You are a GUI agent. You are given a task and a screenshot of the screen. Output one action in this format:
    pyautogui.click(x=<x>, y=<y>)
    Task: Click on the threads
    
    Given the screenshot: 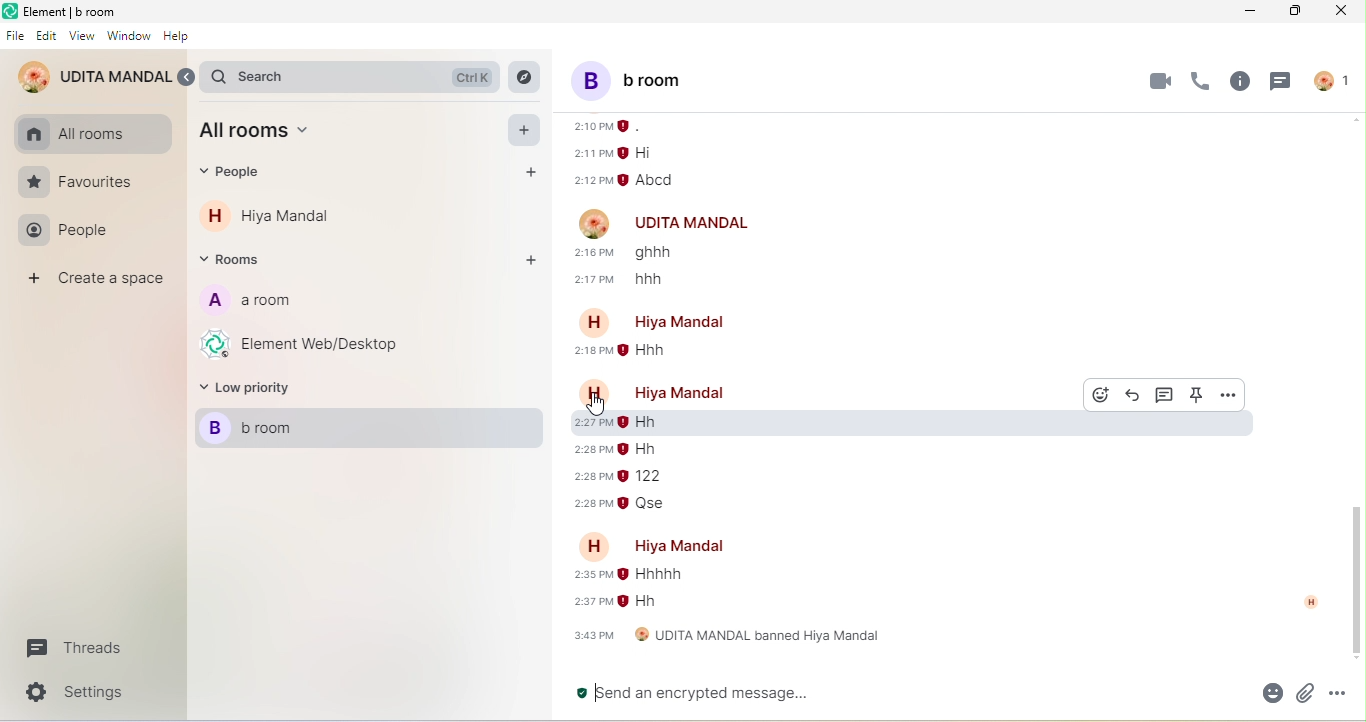 What is the action you would take?
    pyautogui.click(x=1279, y=80)
    